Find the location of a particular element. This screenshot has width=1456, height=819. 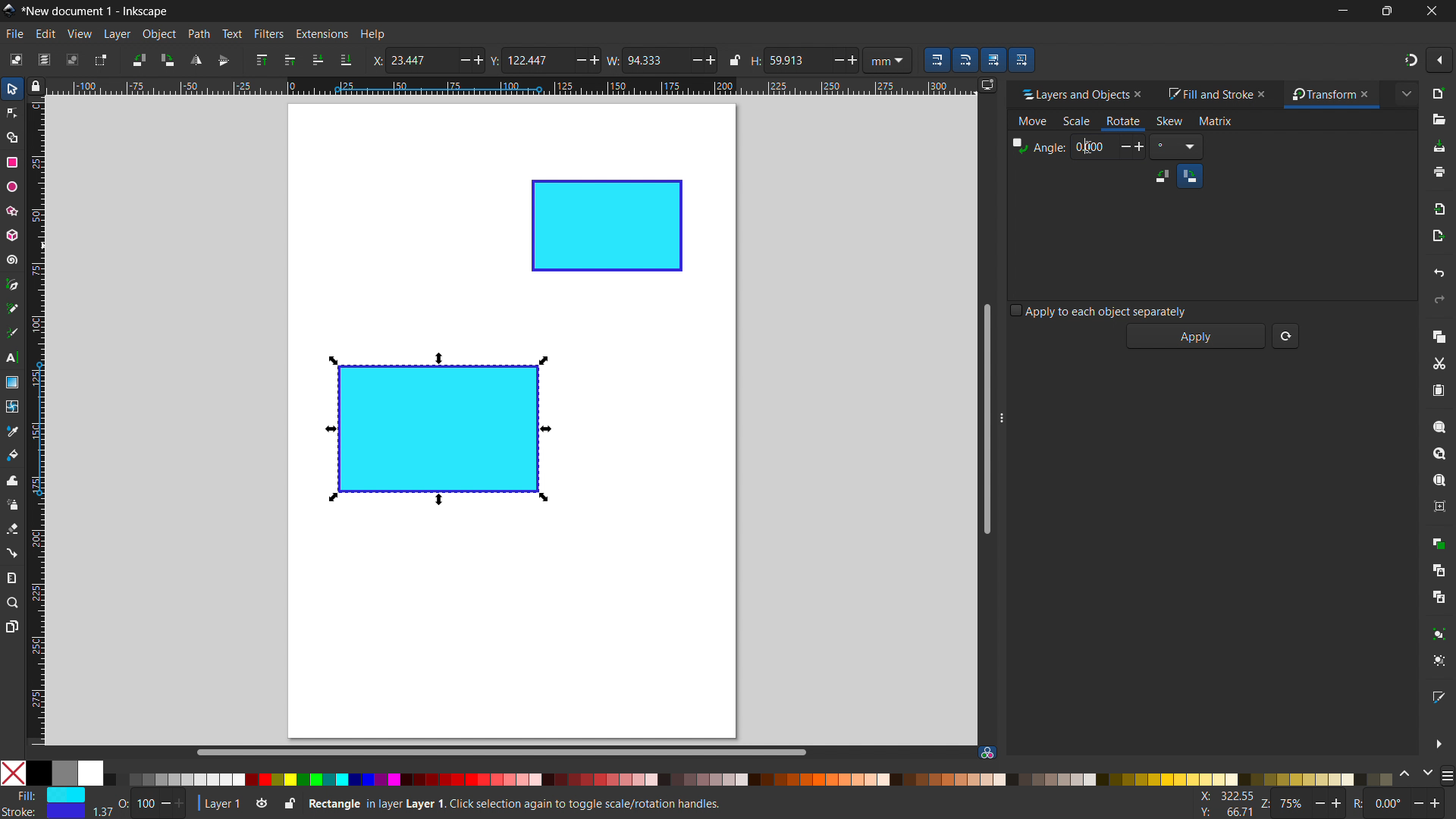

minimize is located at coordinates (1341, 11).